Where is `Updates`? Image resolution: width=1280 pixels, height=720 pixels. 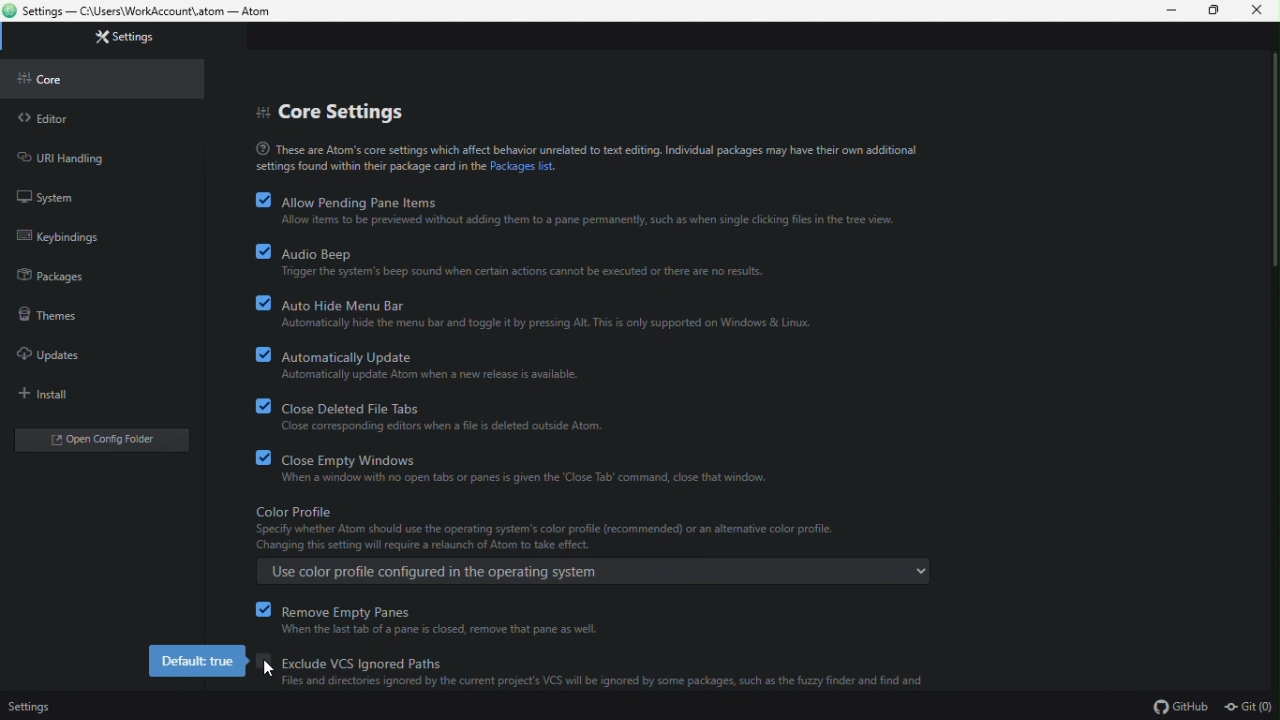
Updates is located at coordinates (94, 354).